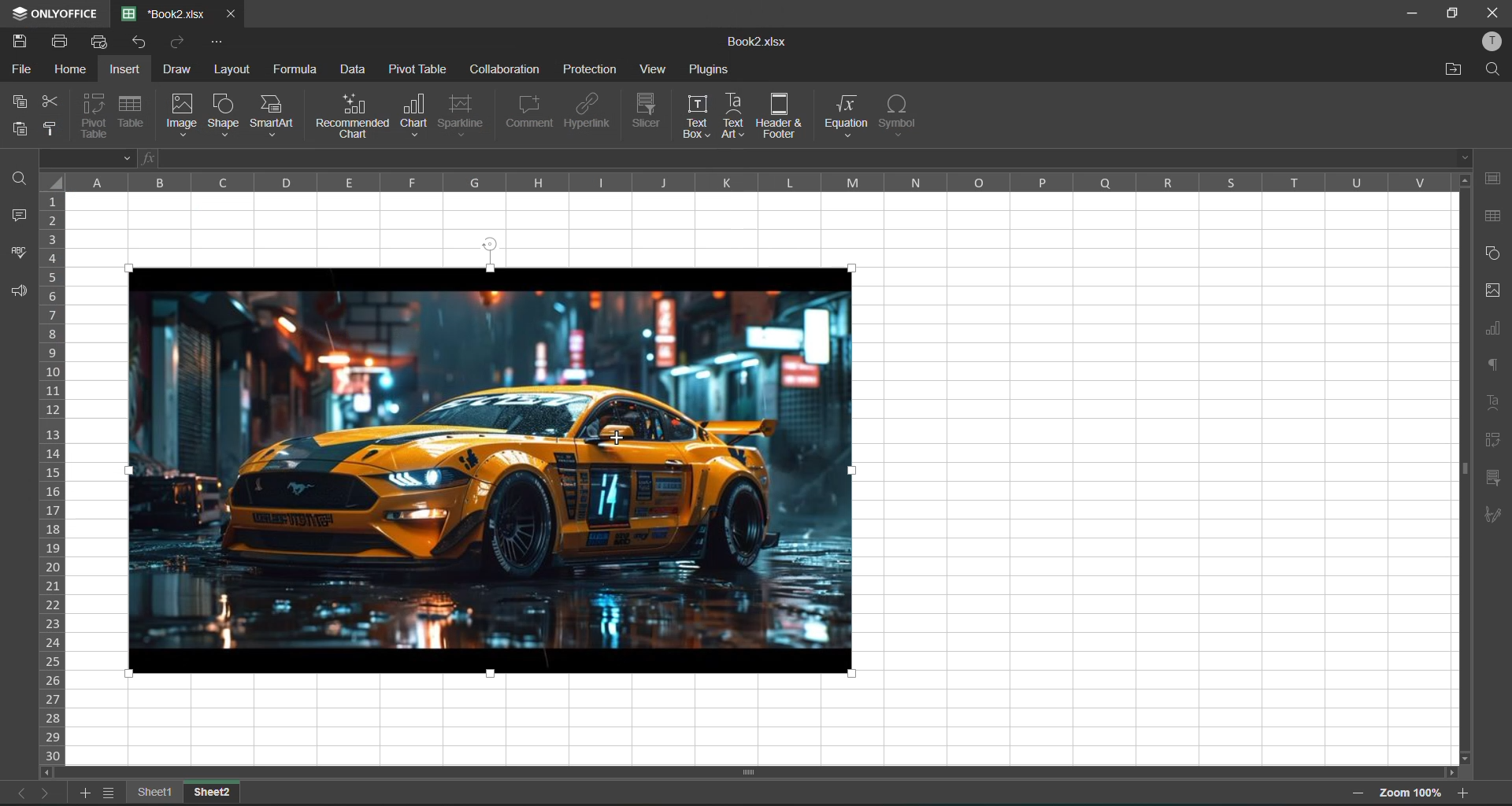  I want to click on slicer, so click(648, 109).